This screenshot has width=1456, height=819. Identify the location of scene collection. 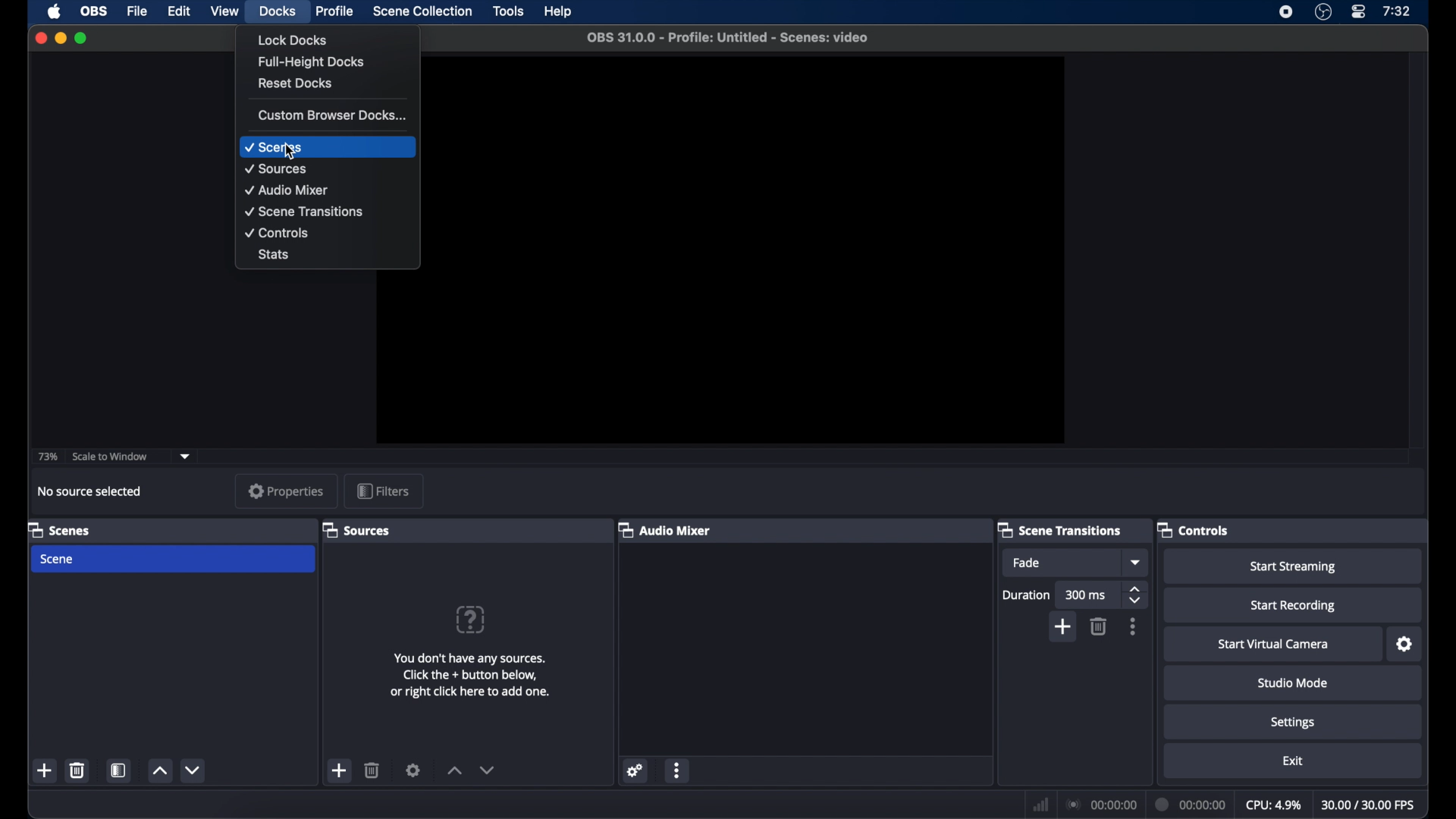
(424, 11).